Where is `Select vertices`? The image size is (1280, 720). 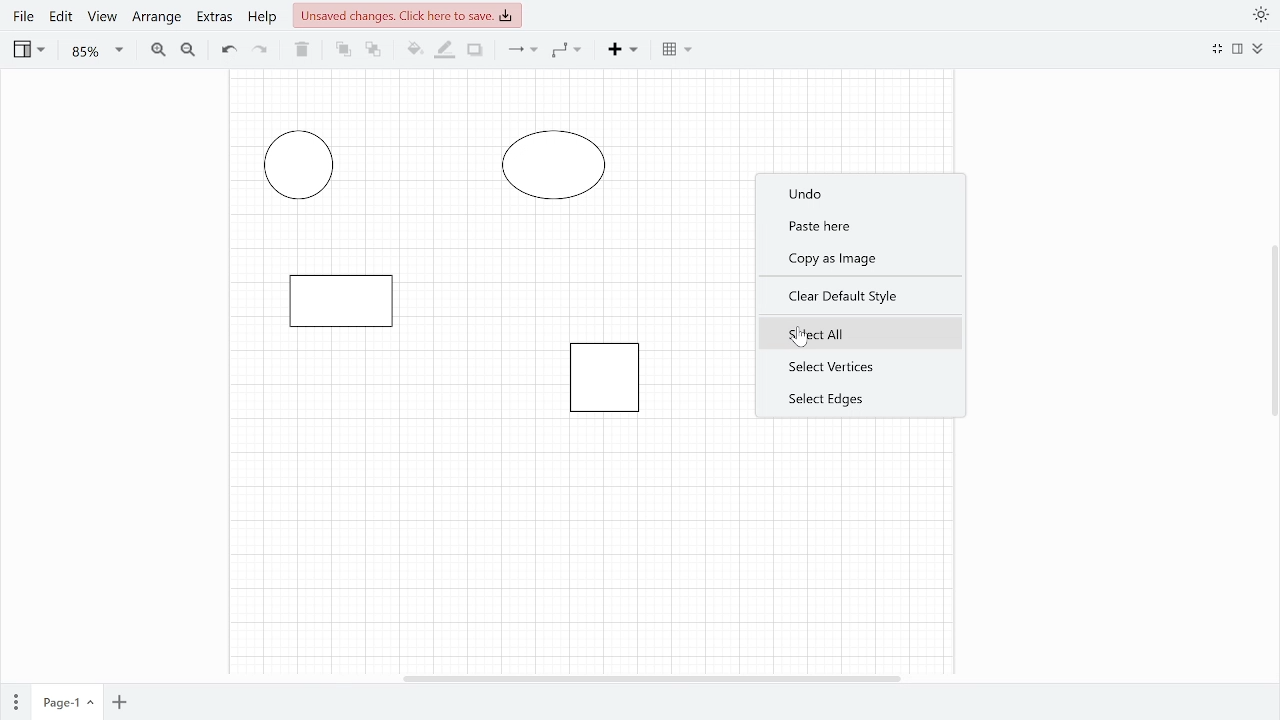
Select vertices is located at coordinates (860, 365).